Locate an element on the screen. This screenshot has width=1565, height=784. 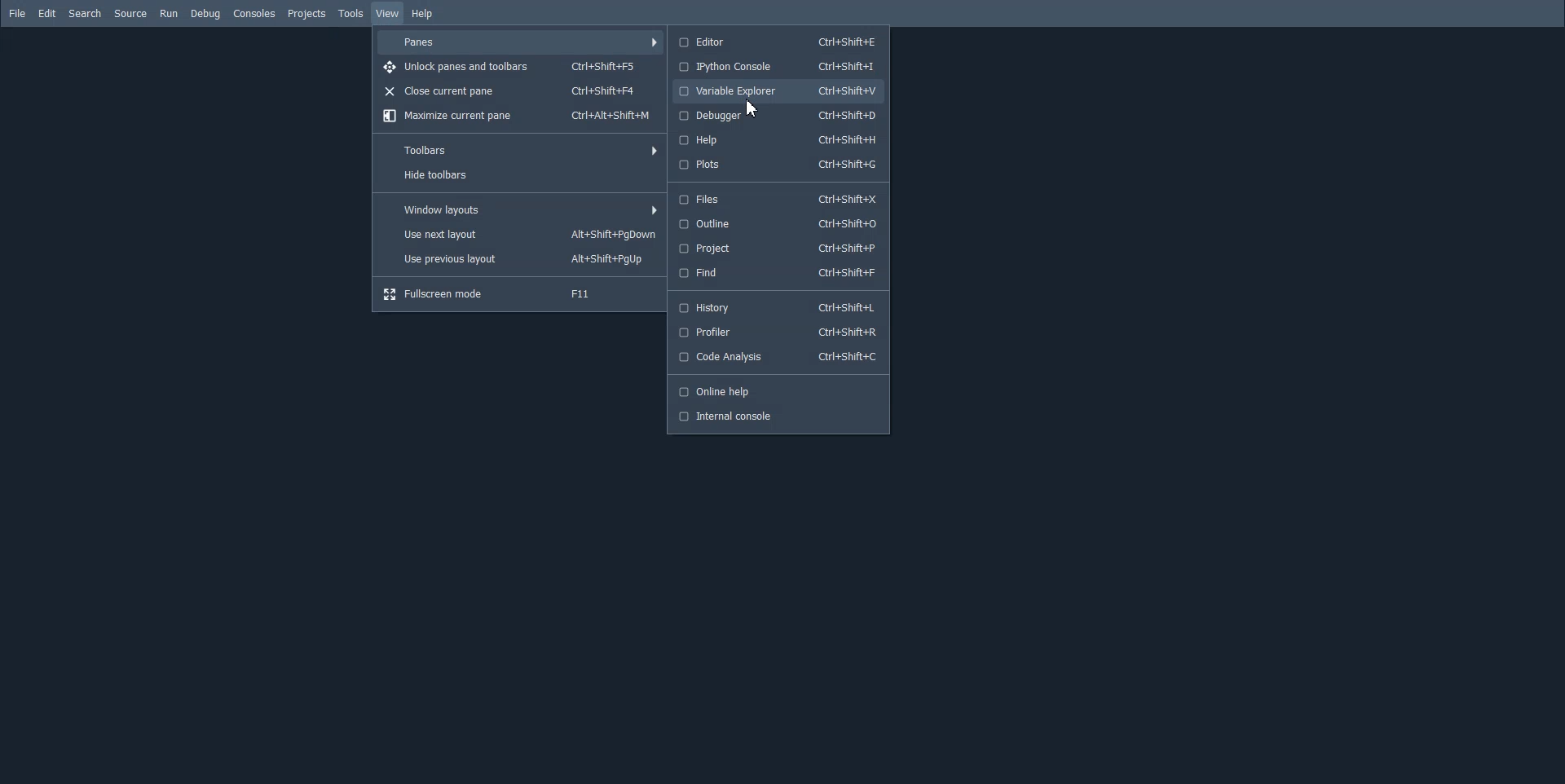
Ipython Console is located at coordinates (776, 67).